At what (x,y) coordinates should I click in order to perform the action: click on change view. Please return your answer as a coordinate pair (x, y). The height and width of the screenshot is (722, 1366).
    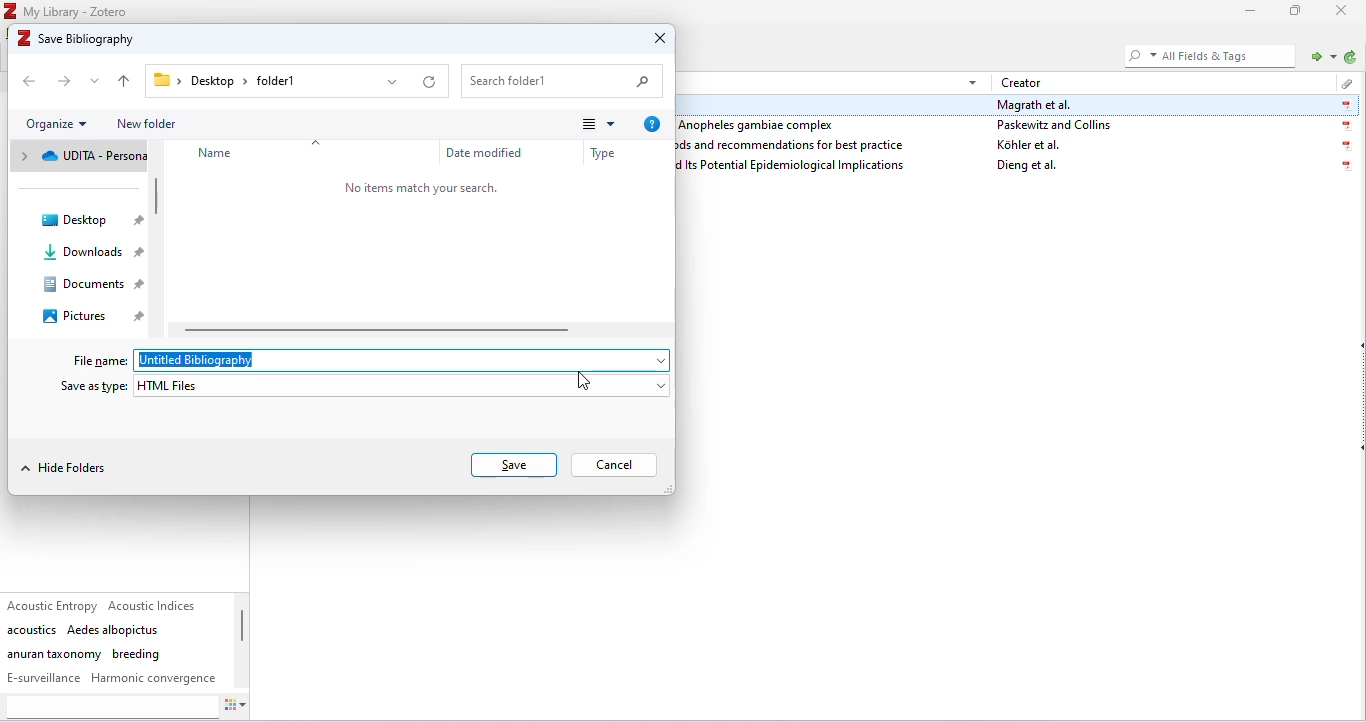
    Looking at the image, I should click on (596, 125).